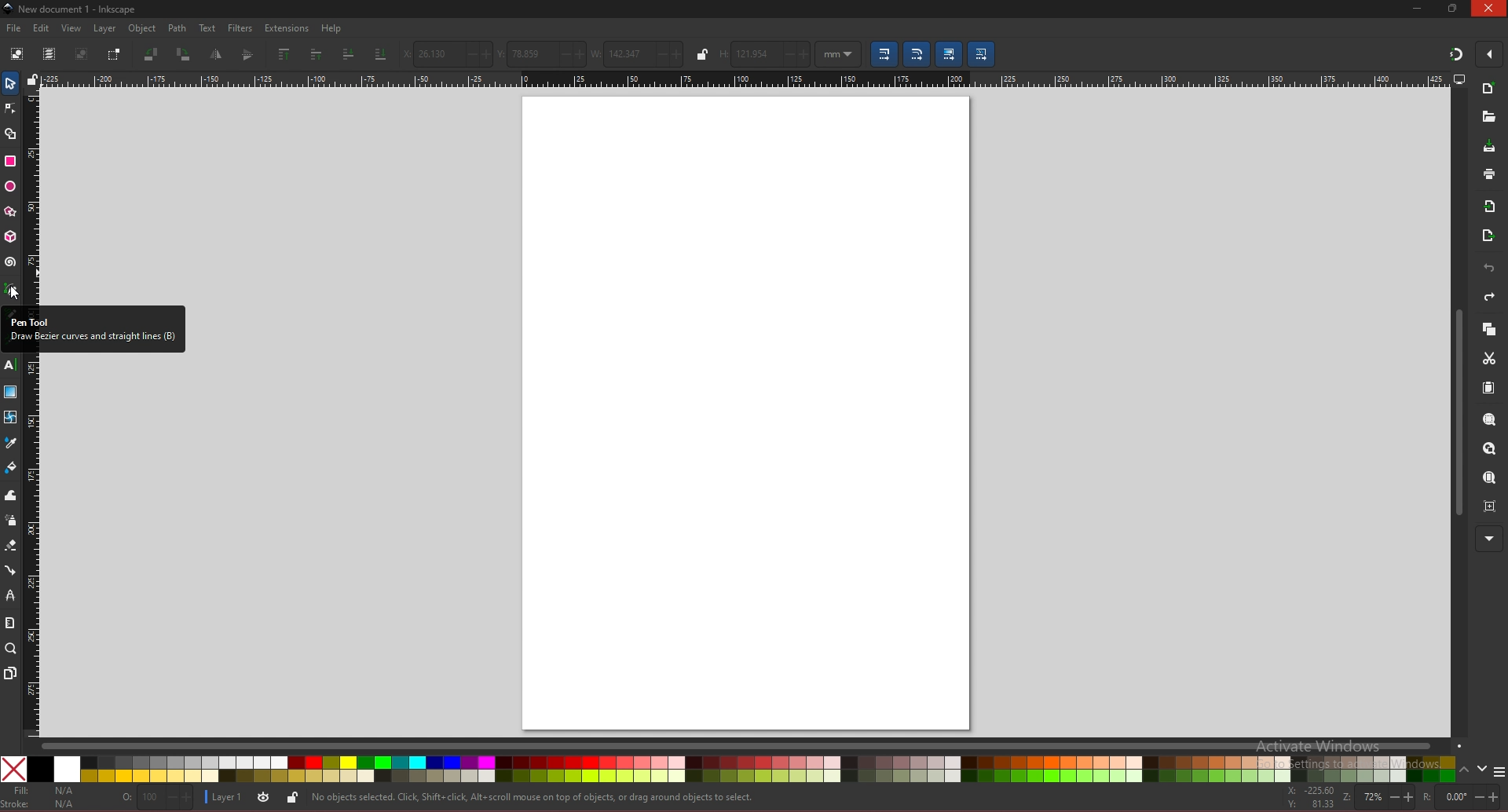  Describe the element at coordinates (1489, 359) in the screenshot. I see `cut` at that location.